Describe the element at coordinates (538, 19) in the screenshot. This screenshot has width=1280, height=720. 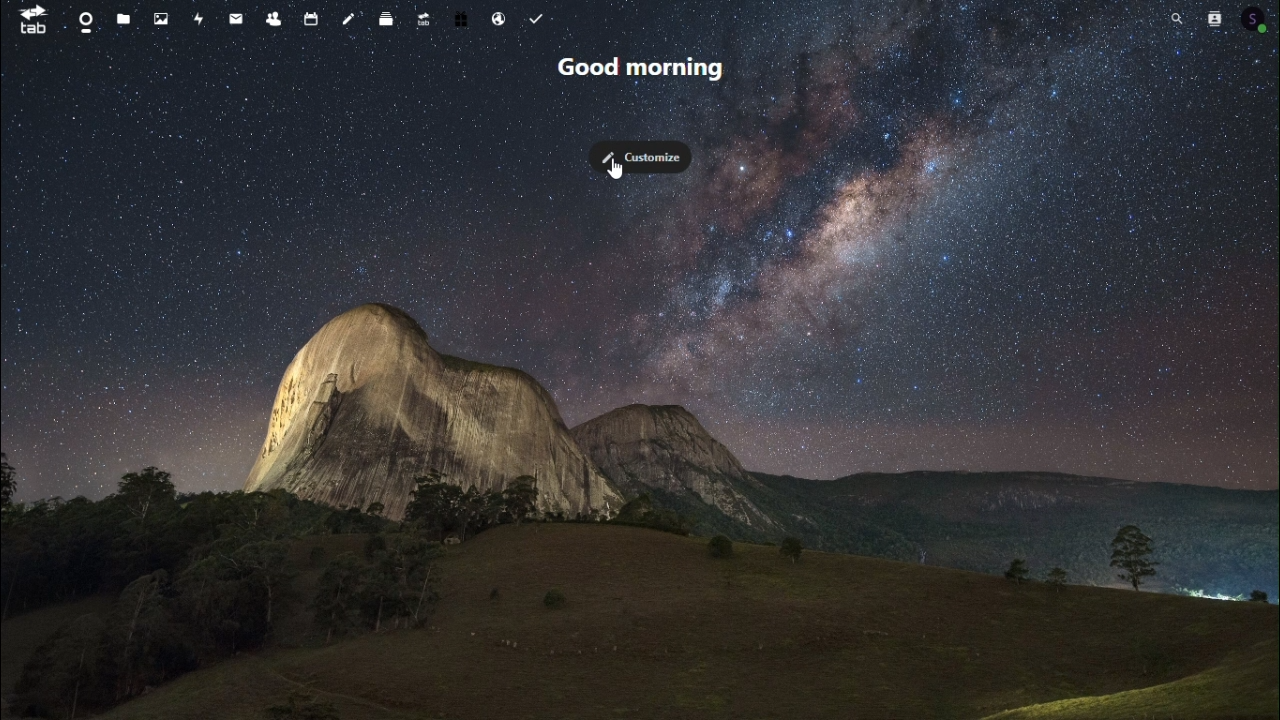
I see `Task ` at that location.